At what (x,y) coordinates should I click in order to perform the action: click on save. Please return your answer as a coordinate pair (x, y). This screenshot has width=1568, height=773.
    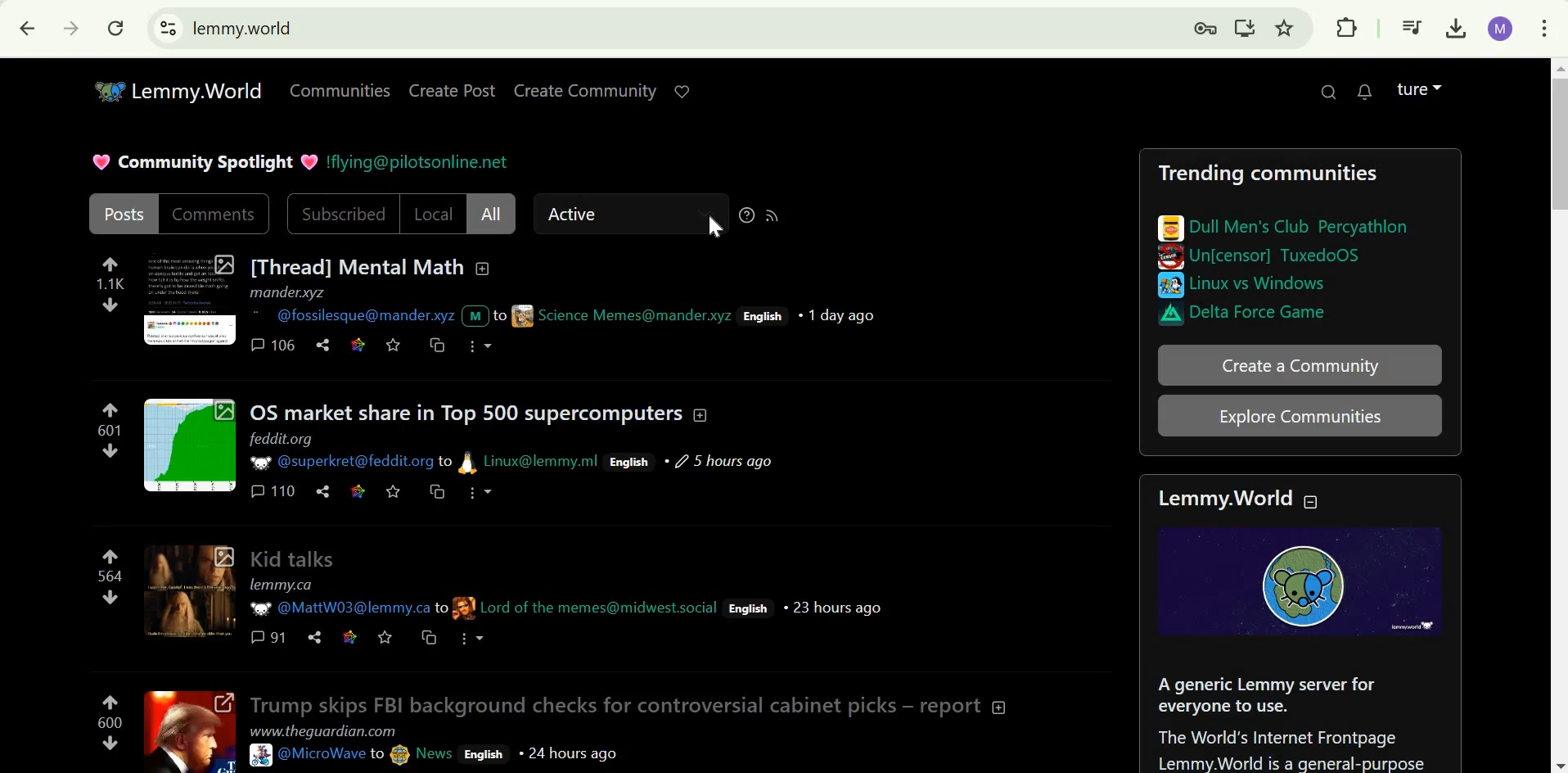
    Looking at the image, I should click on (390, 490).